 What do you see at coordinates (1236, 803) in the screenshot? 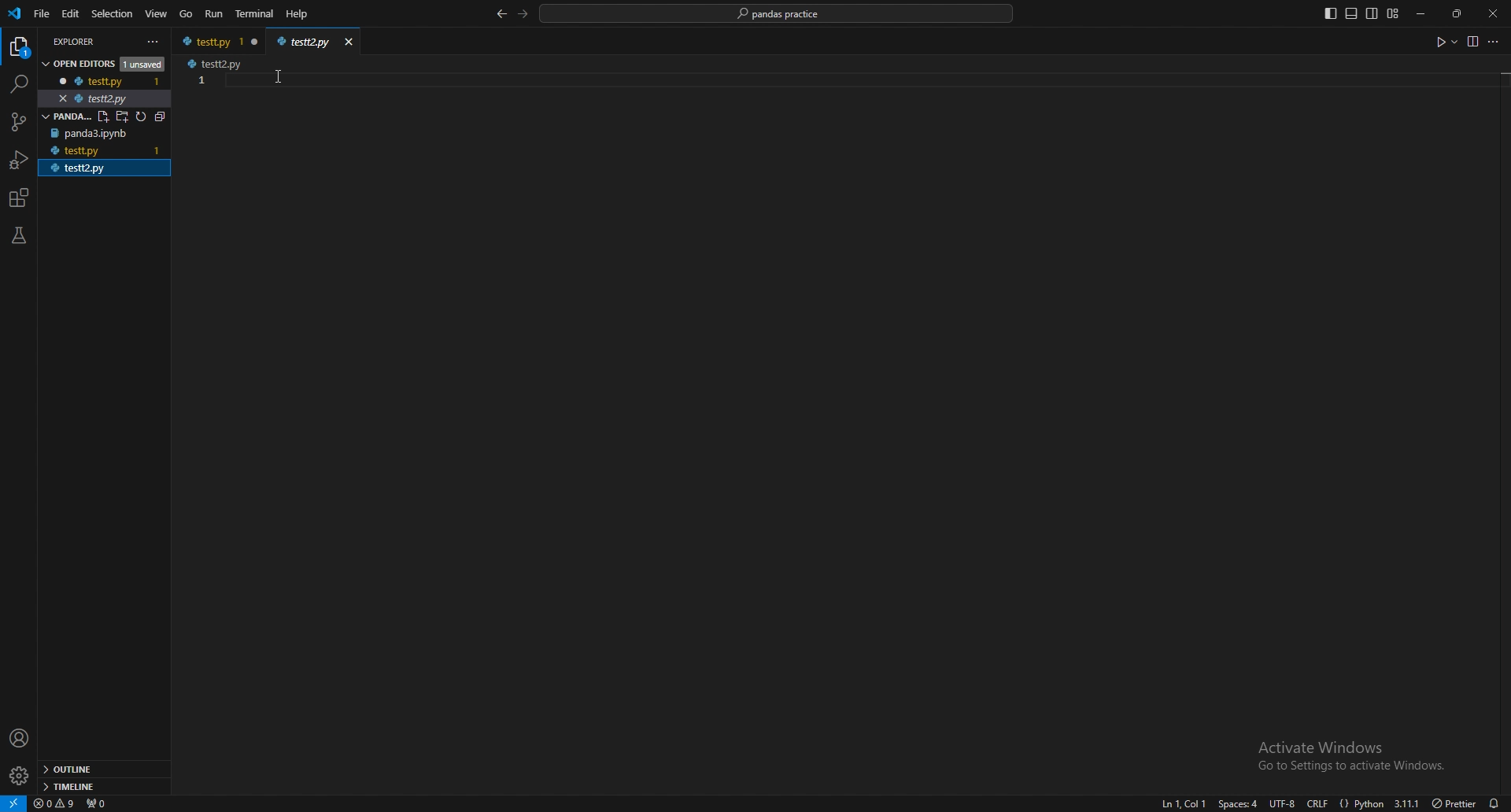
I see `space:4` at bounding box center [1236, 803].